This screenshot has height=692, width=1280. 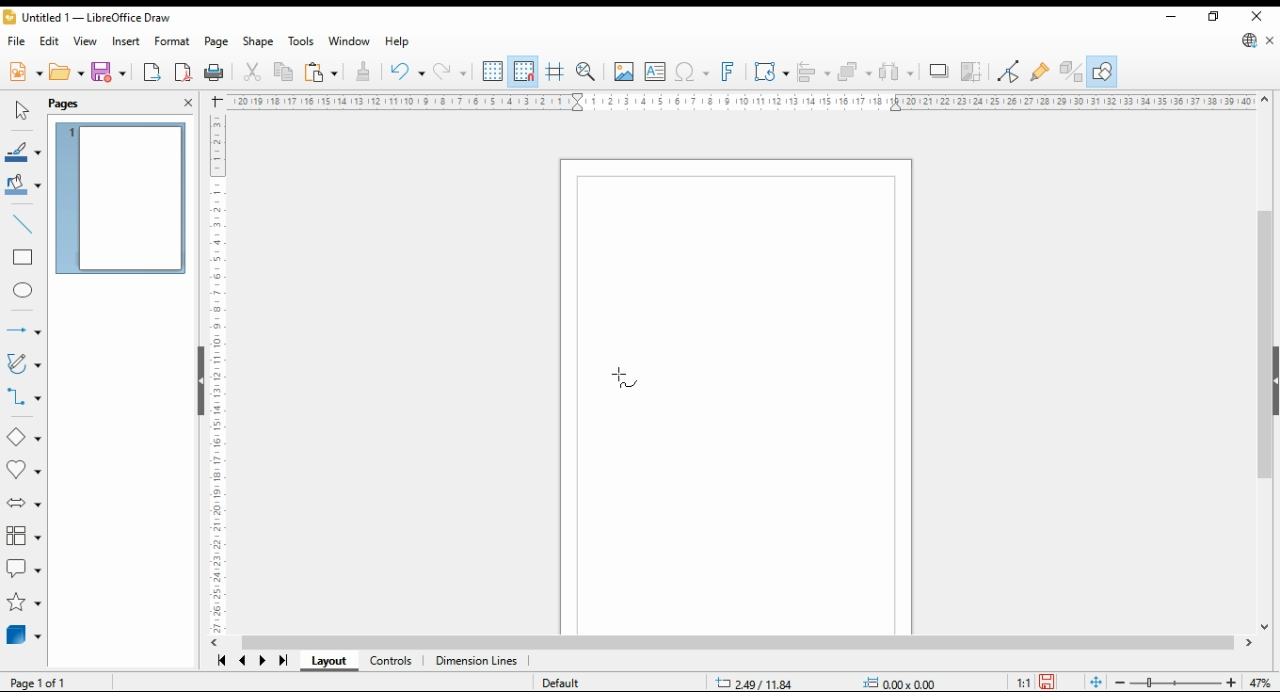 I want to click on cut, so click(x=253, y=71).